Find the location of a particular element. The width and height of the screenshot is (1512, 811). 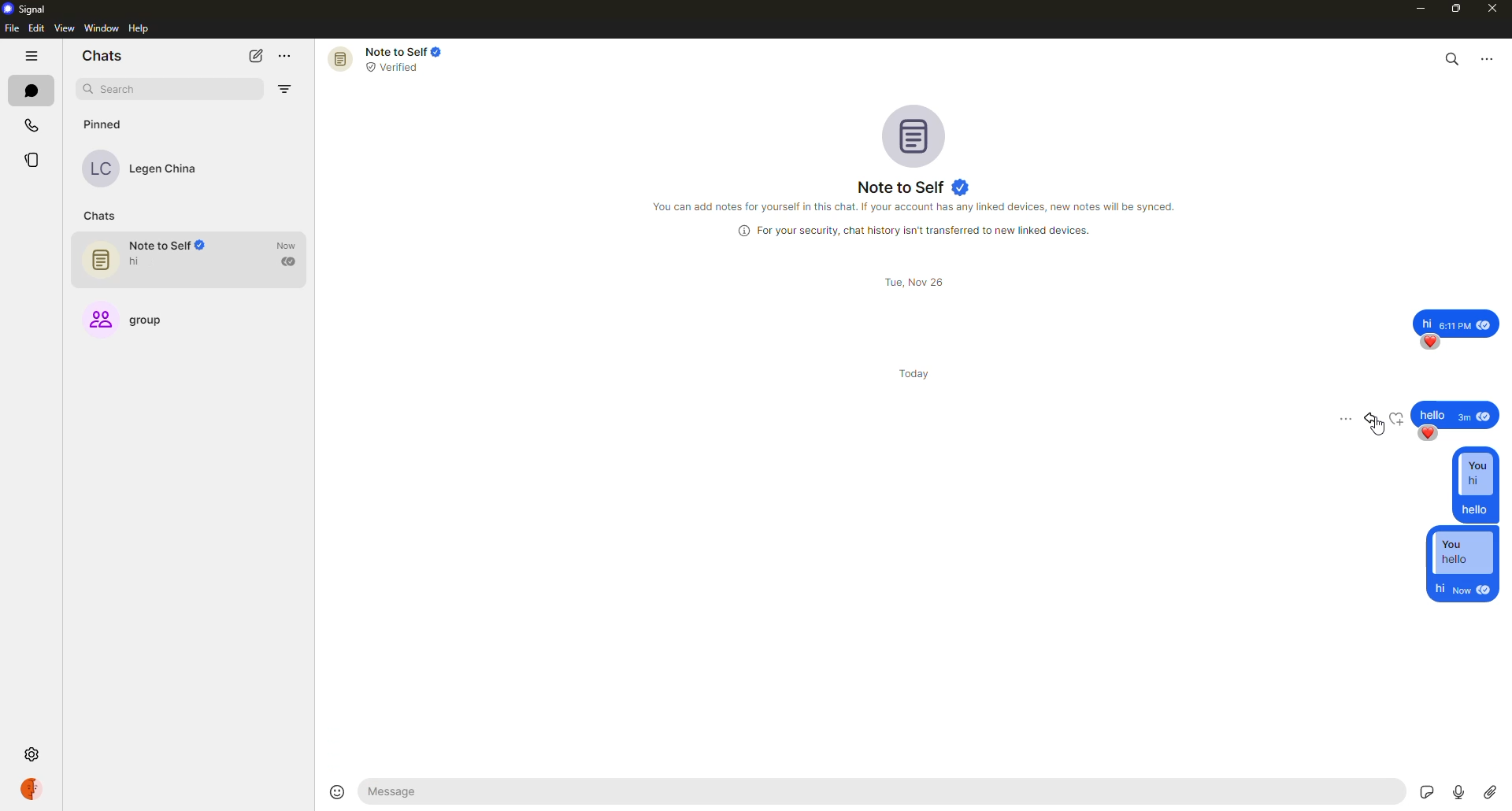

profile is located at coordinates (38, 788).